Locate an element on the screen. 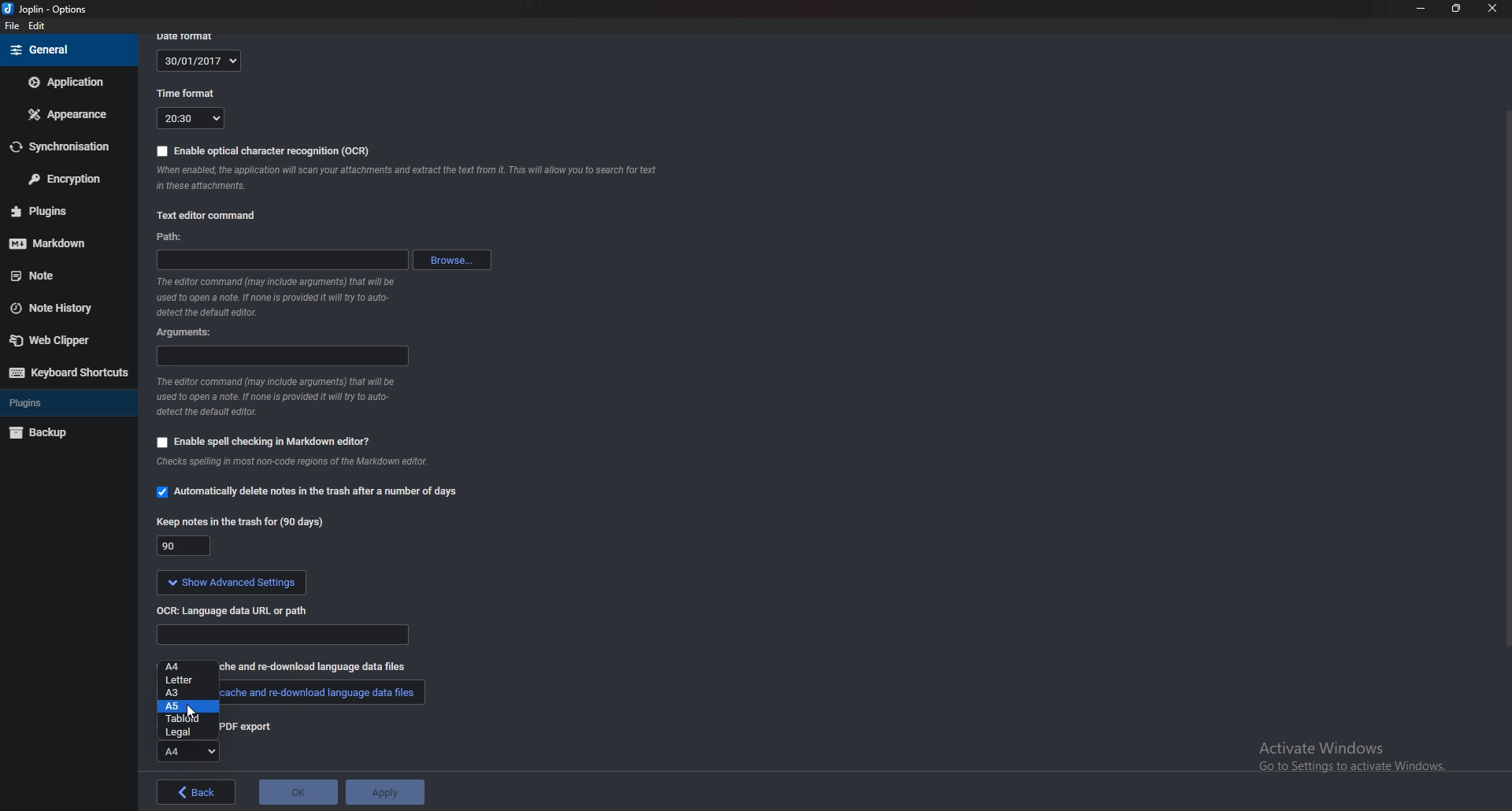  Back up is located at coordinates (62, 432).